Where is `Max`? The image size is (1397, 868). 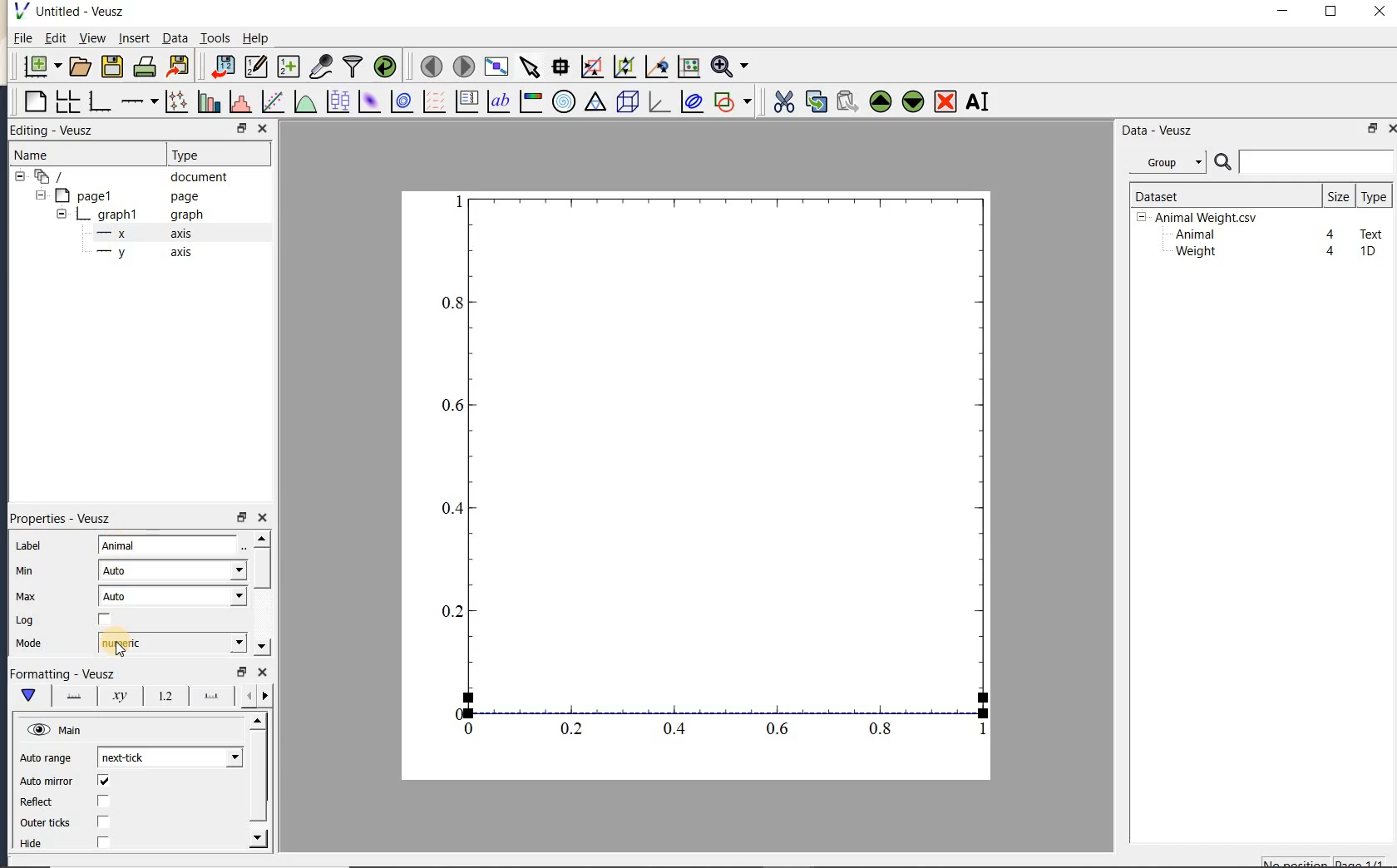
Max is located at coordinates (26, 596).